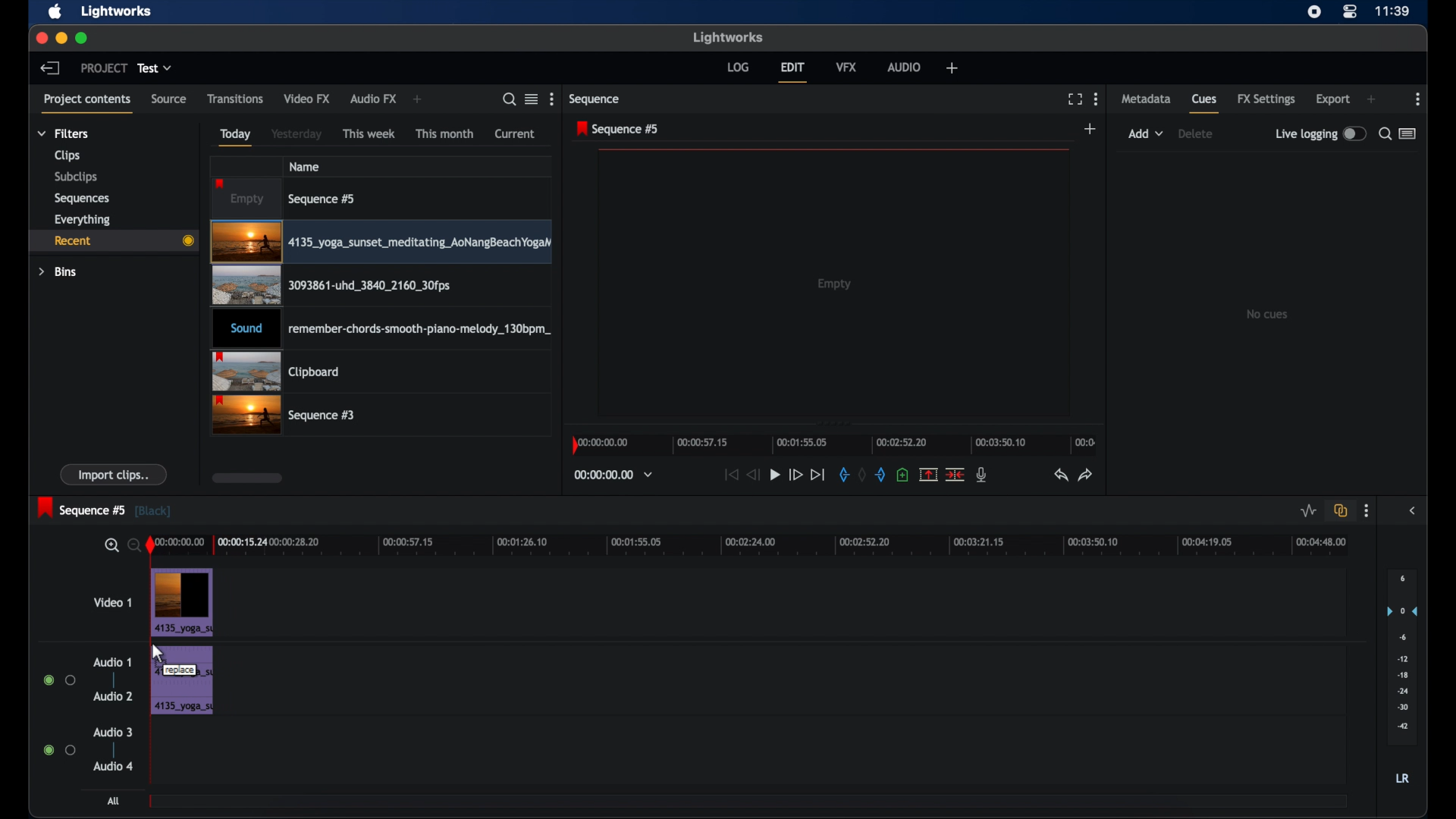 This screenshot has width=1456, height=819. I want to click on clips, so click(67, 155).